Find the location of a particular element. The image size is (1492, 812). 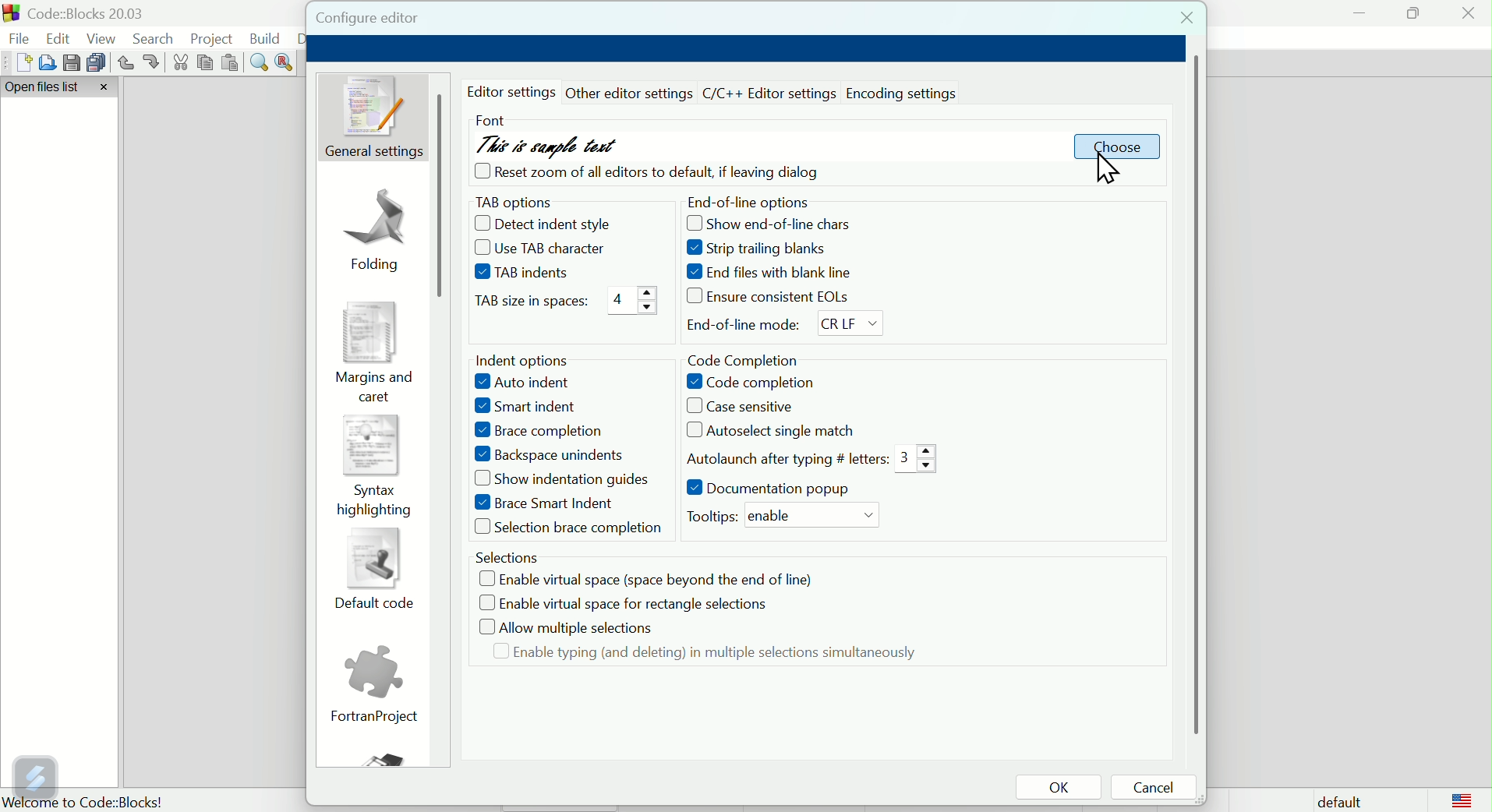

Court blocks 2003 is located at coordinates (98, 13).